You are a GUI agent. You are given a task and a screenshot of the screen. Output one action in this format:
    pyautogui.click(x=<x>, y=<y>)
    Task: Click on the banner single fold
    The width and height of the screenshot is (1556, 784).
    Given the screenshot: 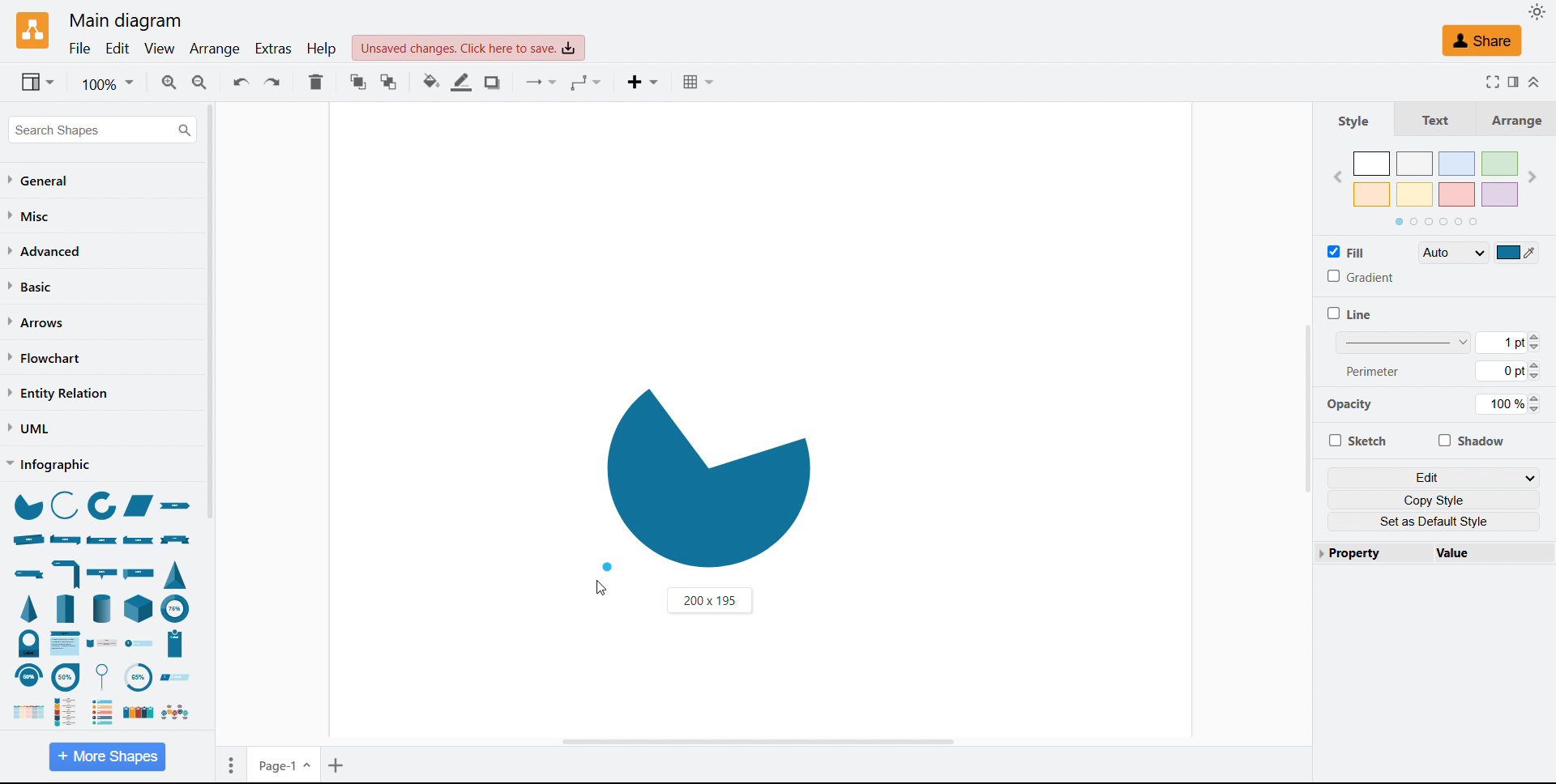 What is the action you would take?
    pyautogui.click(x=28, y=574)
    